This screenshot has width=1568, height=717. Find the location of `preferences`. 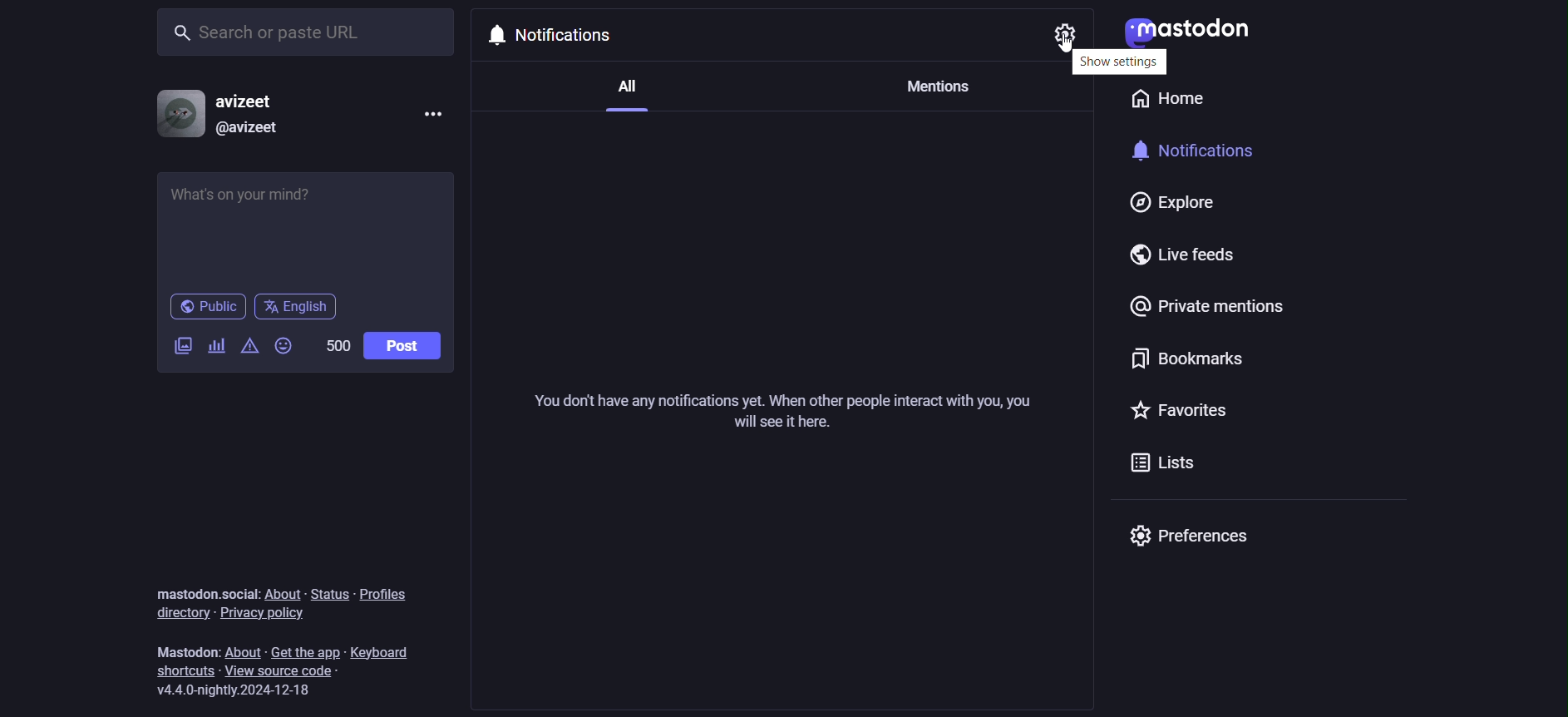

preferences is located at coordinates (1191, 535).